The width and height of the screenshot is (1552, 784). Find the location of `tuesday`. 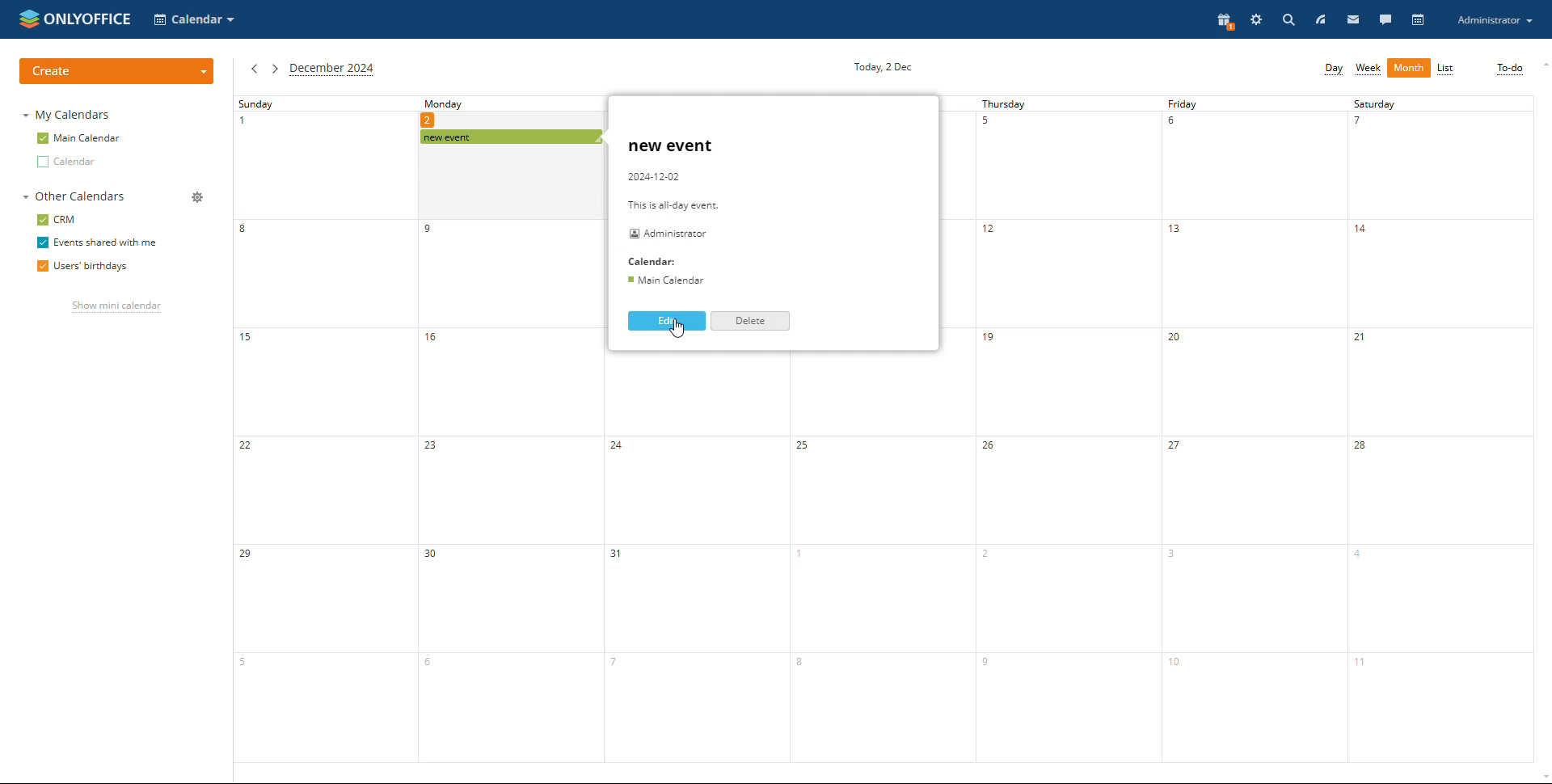

tuesday is located at coordinates (698, 562).